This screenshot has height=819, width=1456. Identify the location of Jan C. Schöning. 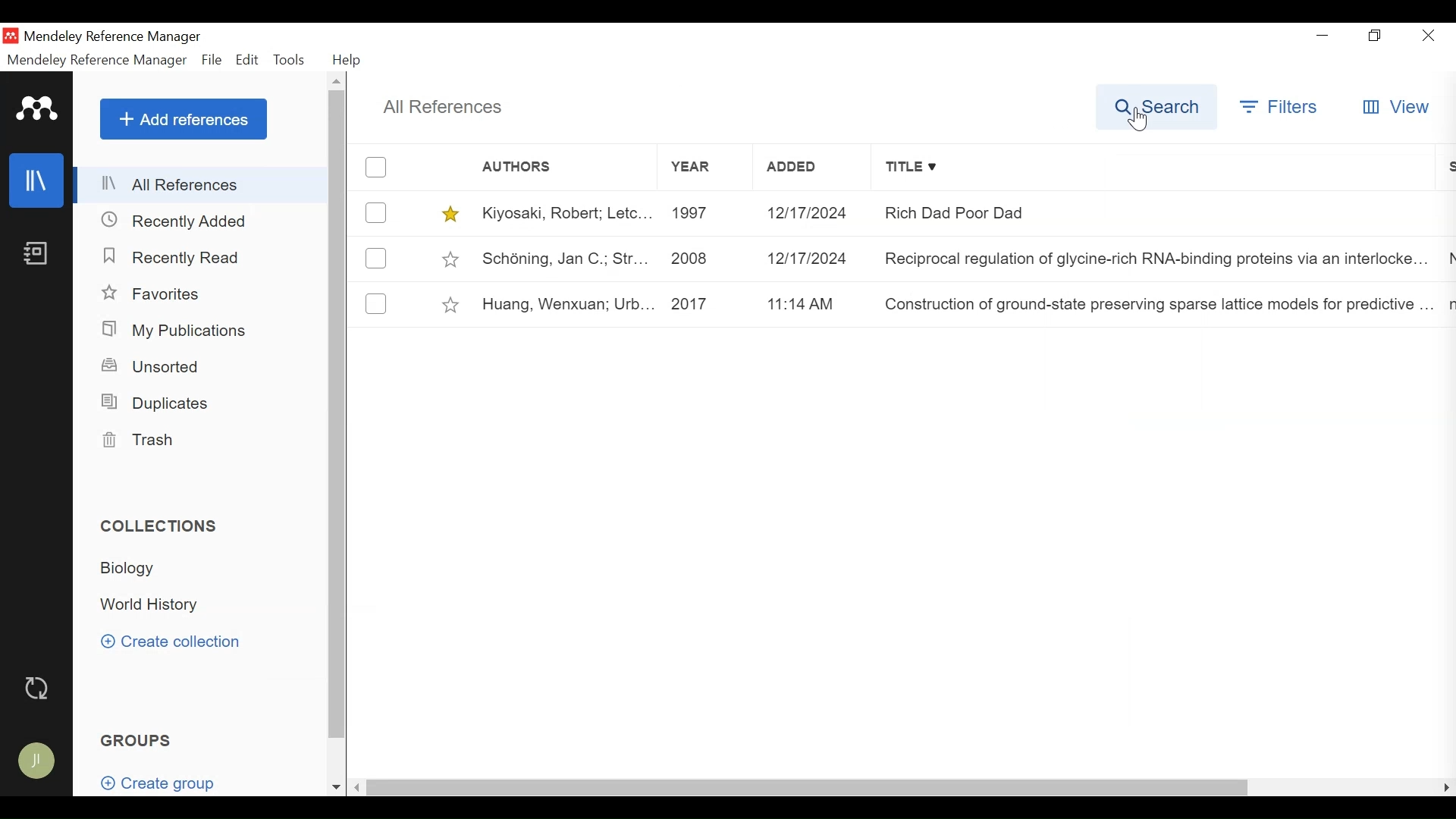
(561, 257).